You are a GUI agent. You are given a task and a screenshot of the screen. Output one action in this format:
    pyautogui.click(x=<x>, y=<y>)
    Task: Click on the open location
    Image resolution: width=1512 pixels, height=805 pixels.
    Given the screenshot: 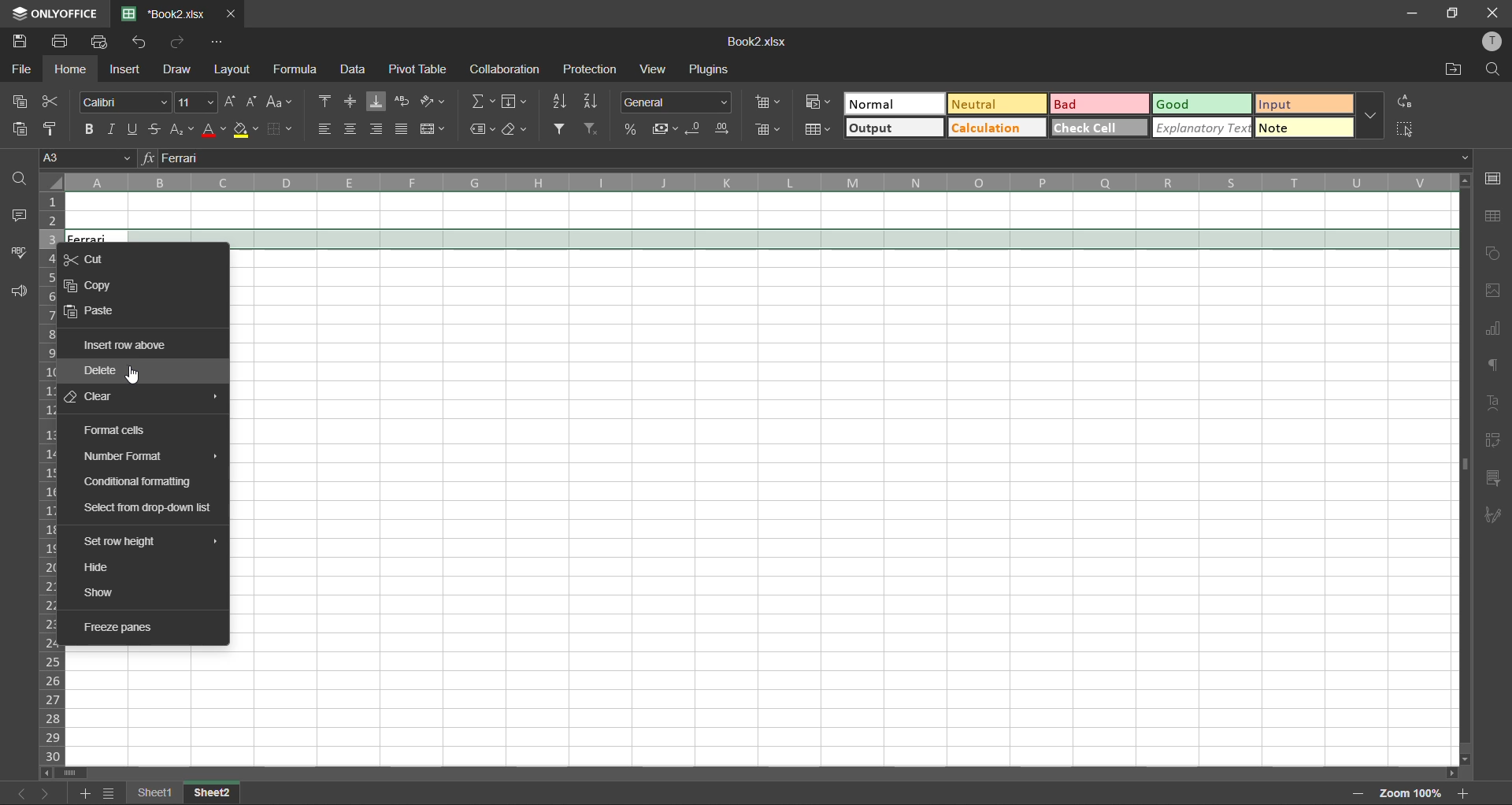 What is the action you would take?
    pyautogui.click(x=1450, y=69)
    